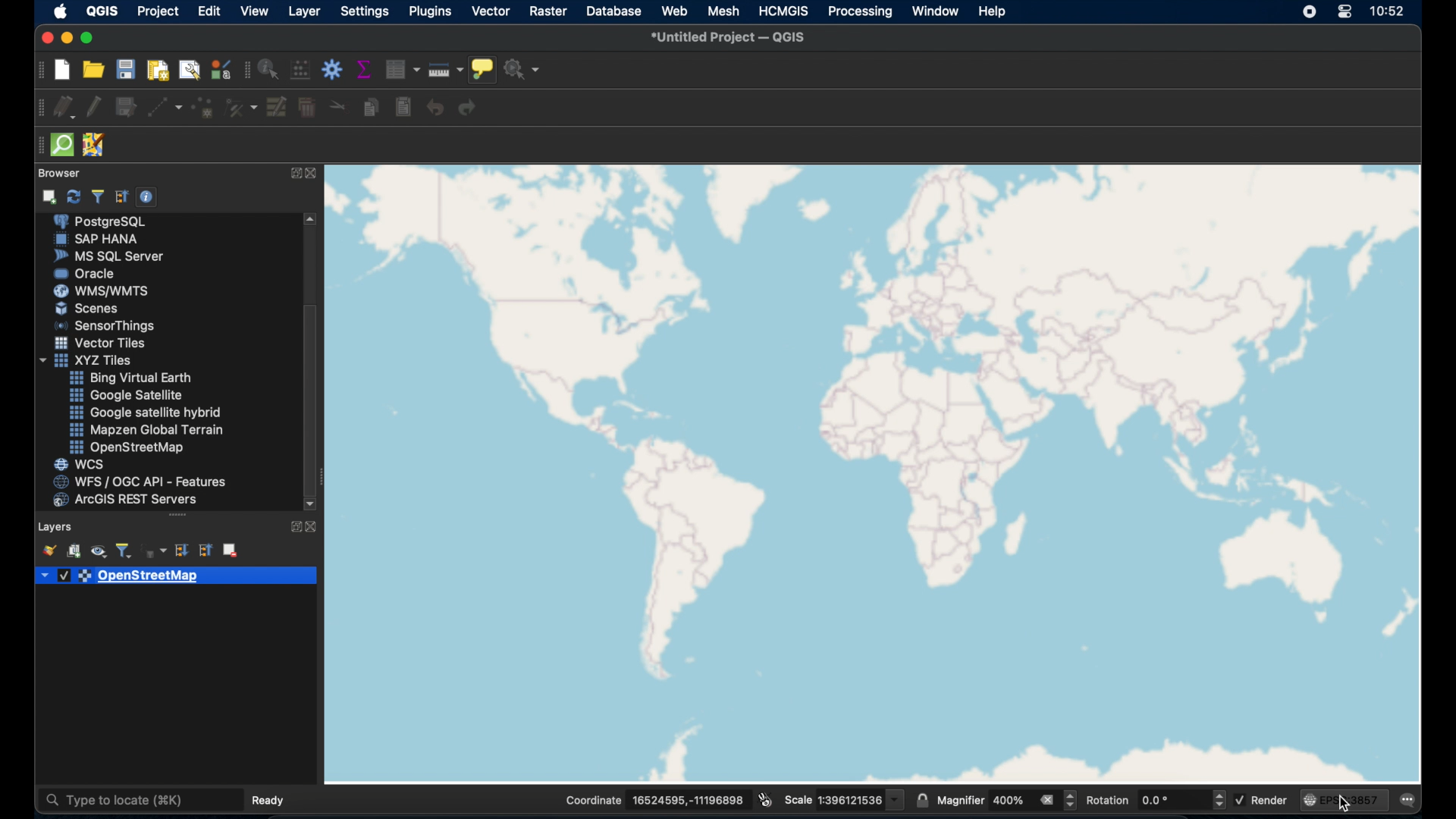 This screenshot has height=819, width=1456. I want to click on show layout manager, so click(187, 71).